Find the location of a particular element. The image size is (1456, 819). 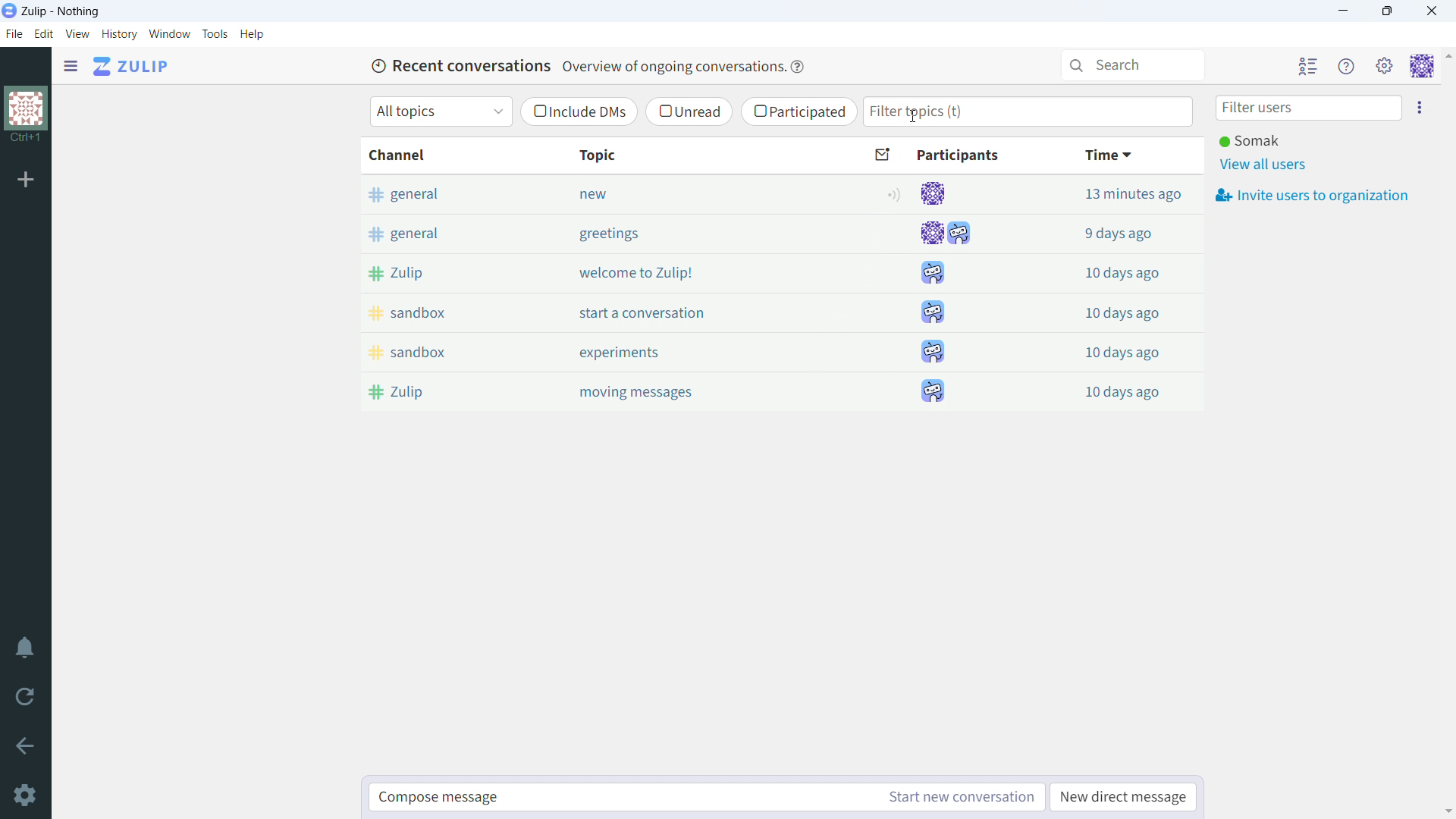

general is located at coordinates (437, 193).